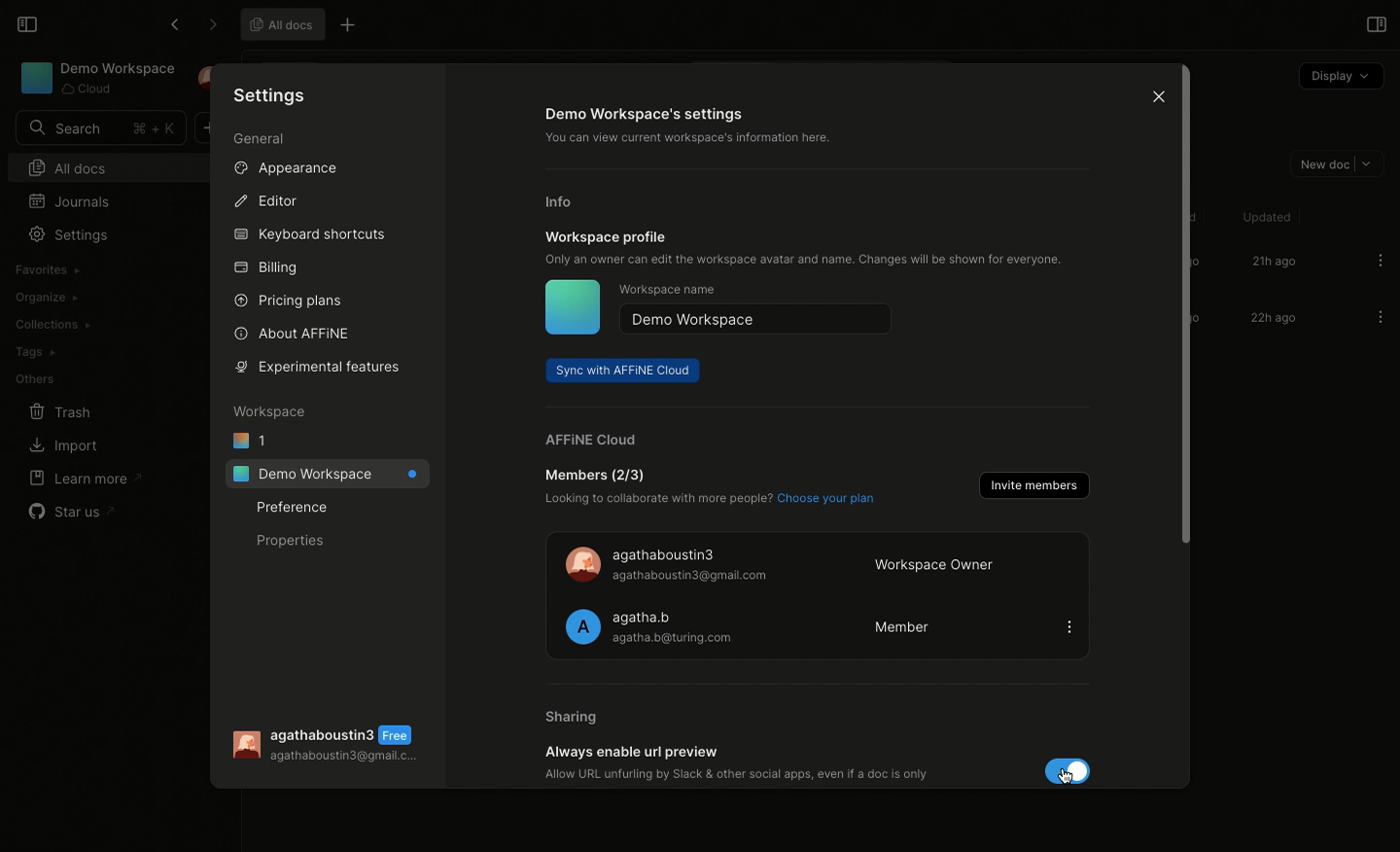 This screenshot has width=1400, height=852. Describe the element at coordinates (670, 292) in the screenshot. I see `Workspace name` at that location.